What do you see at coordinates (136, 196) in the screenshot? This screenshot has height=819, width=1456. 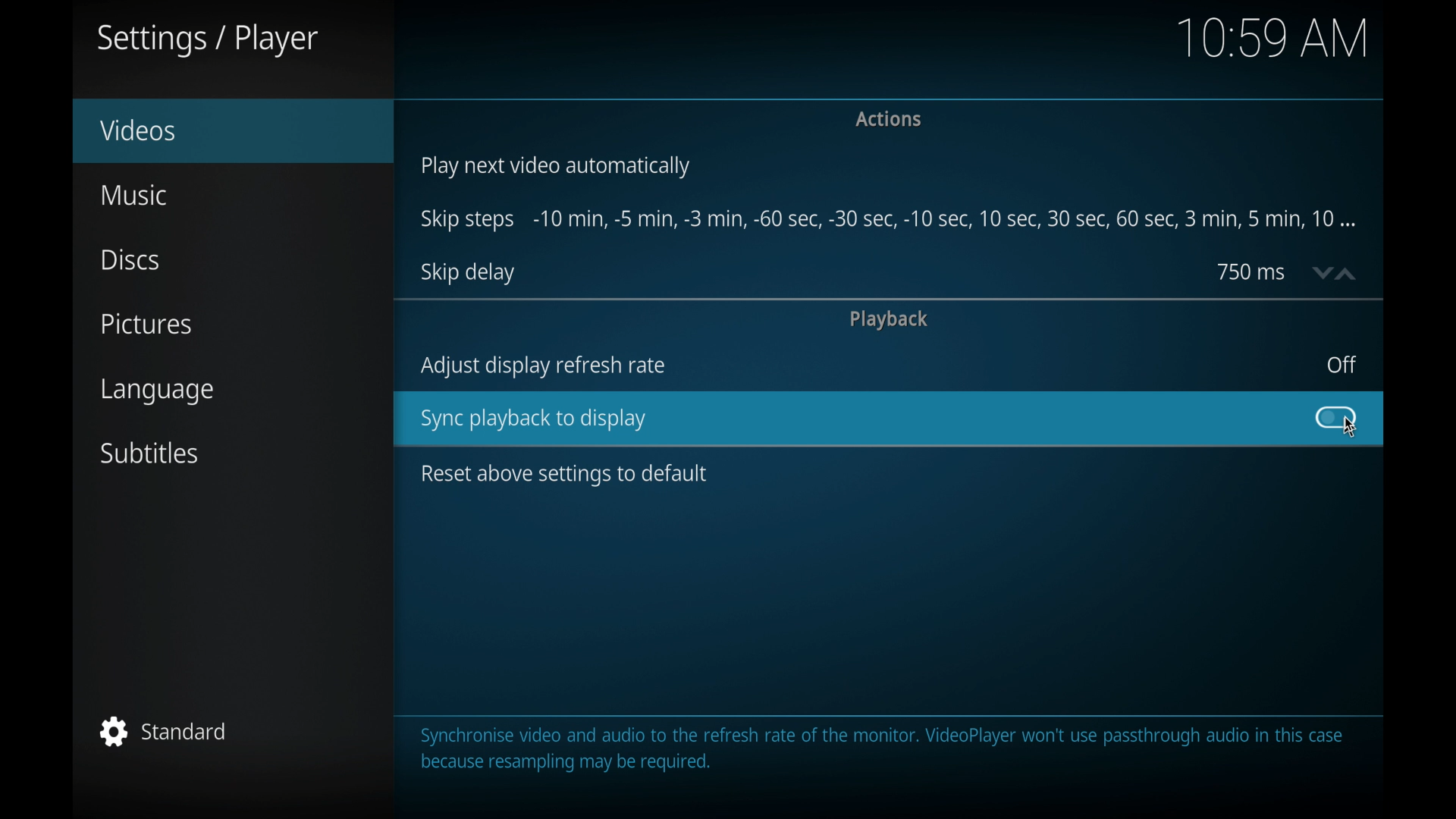 I see `music` at bounding box center [136, 196].